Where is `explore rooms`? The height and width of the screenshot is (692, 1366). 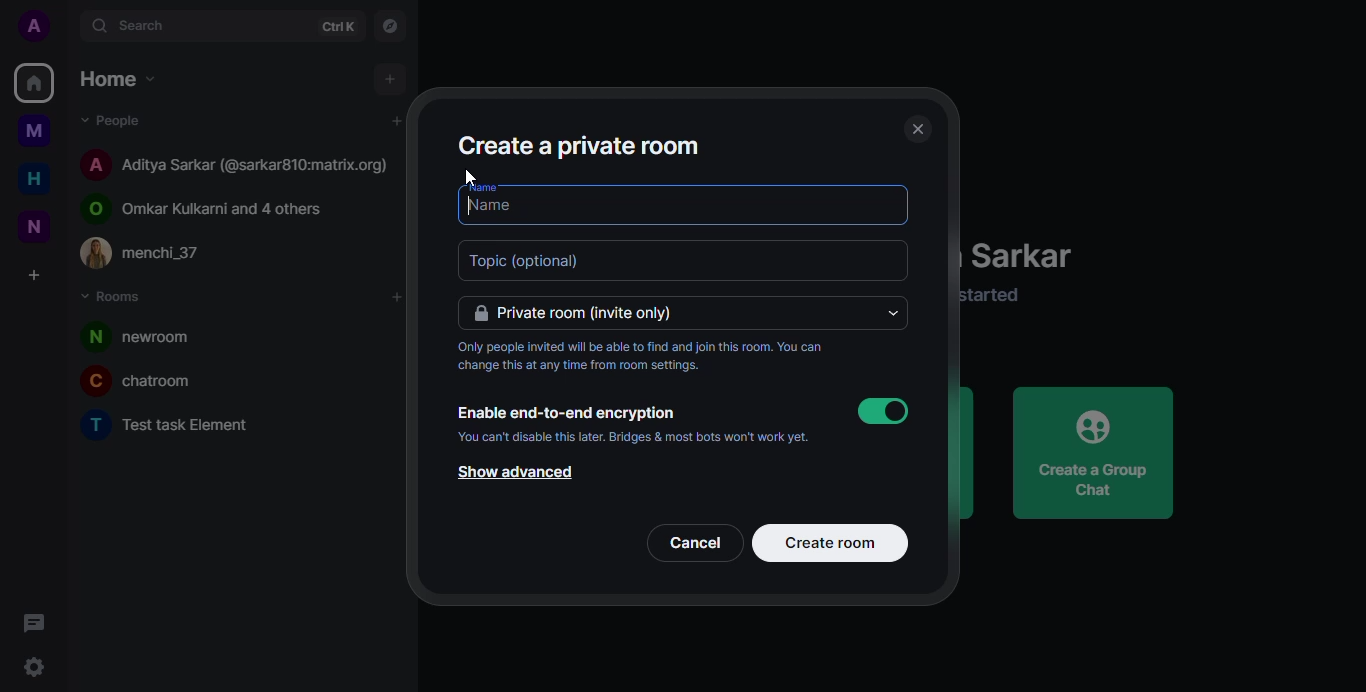
explore rooms is located at coordinates (389, 26).